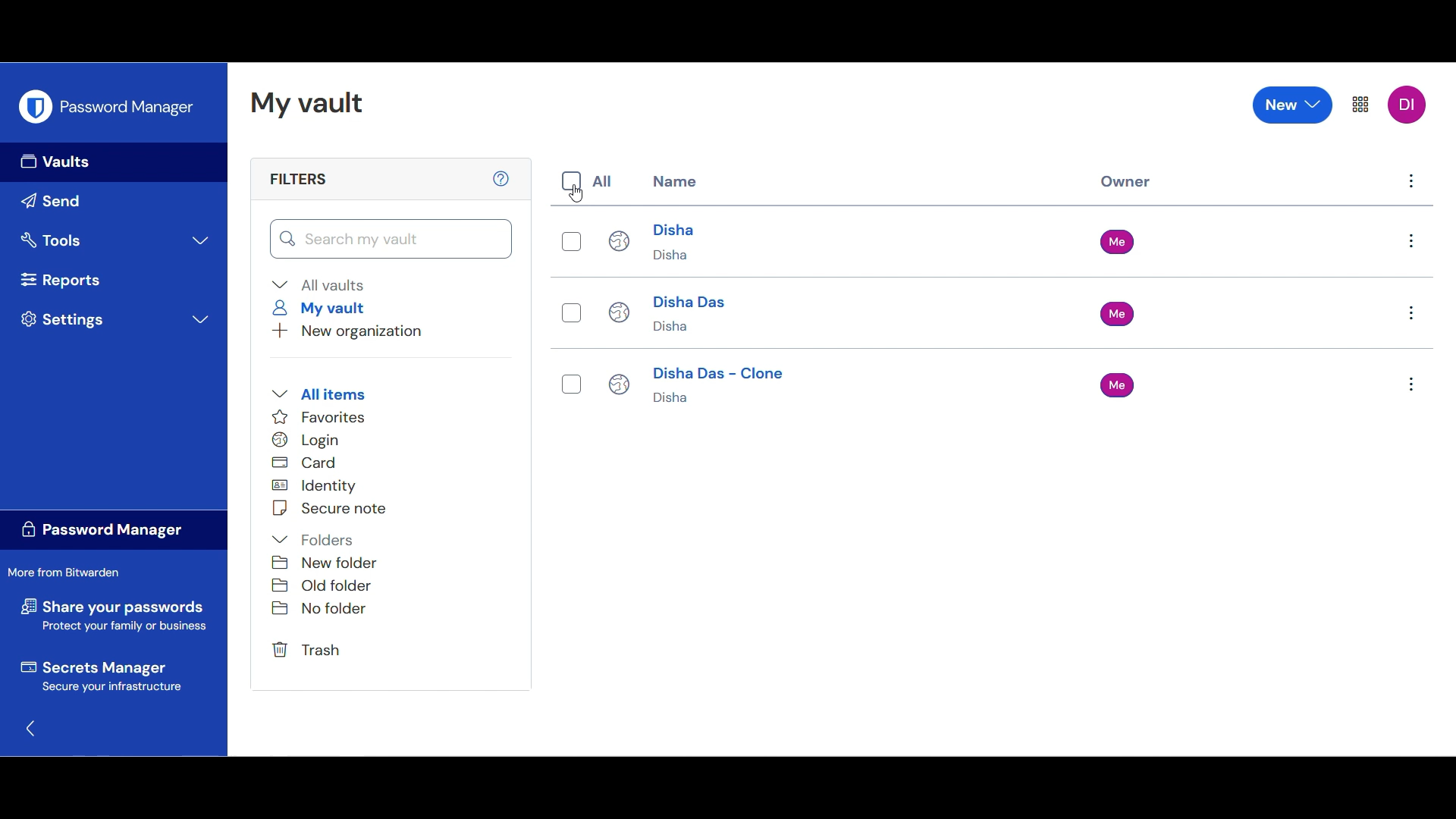 Image resolution: width=1456 pixels, height=819 pixels. What do you see at coordinates (306, 104) in the screenshot?
I see `My vault` at bounding box center [306, 104].